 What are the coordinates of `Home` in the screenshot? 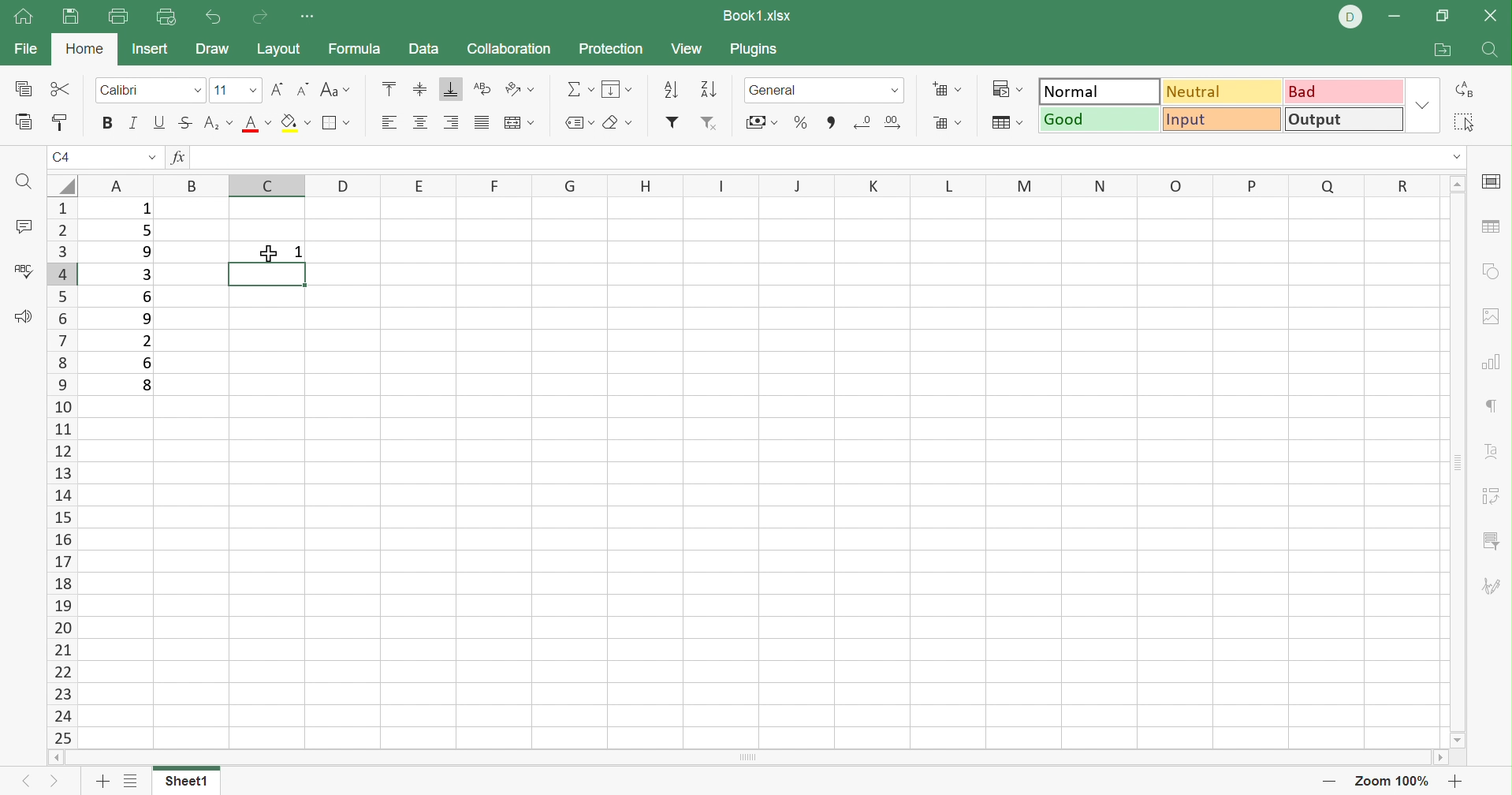 It's located at (86, 50).